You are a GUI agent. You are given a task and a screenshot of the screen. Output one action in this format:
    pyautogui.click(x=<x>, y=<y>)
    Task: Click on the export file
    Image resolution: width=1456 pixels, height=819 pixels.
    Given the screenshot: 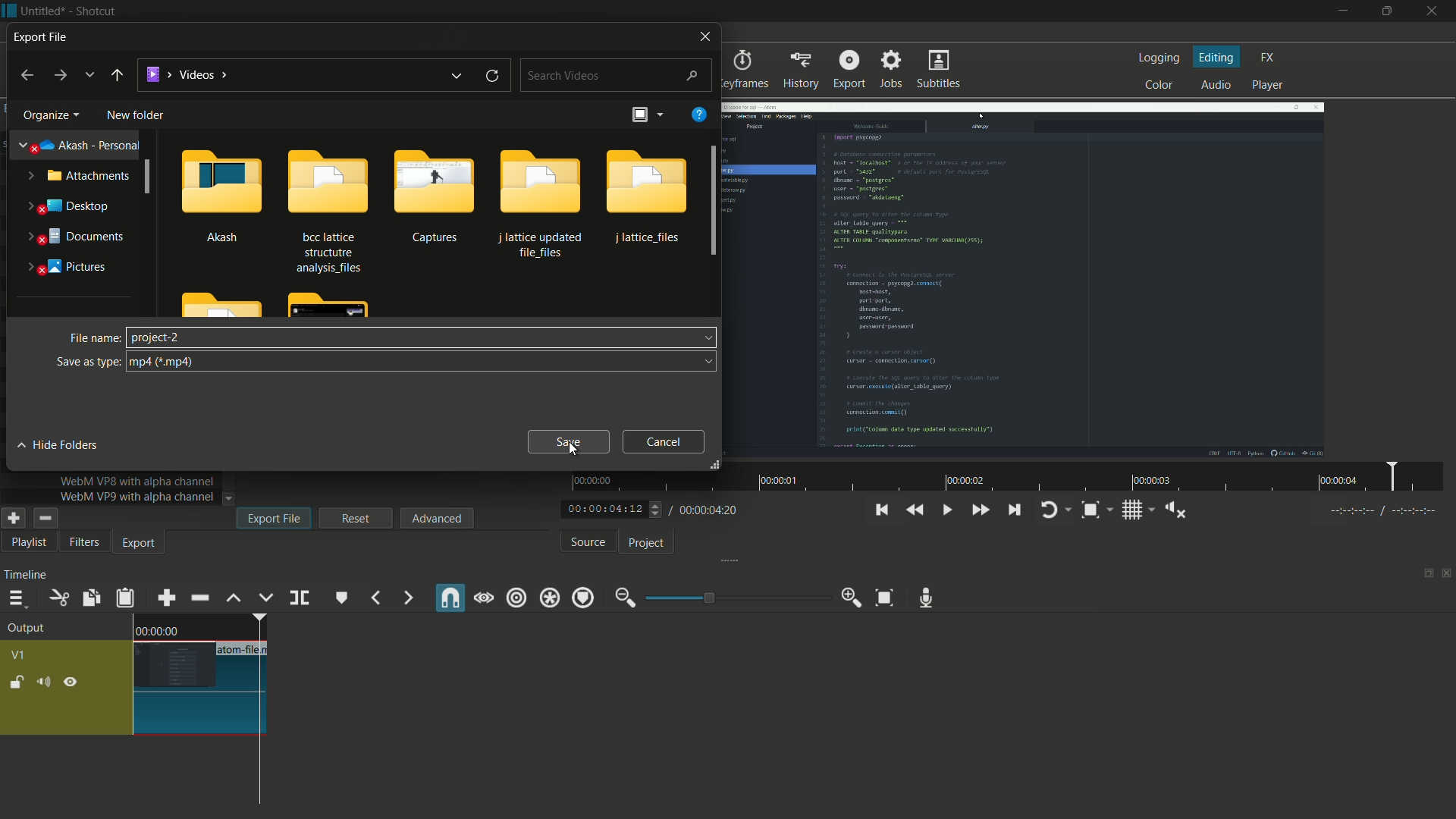 What is the action you would take?
    pyautogui.click(x=274, y=518)
    